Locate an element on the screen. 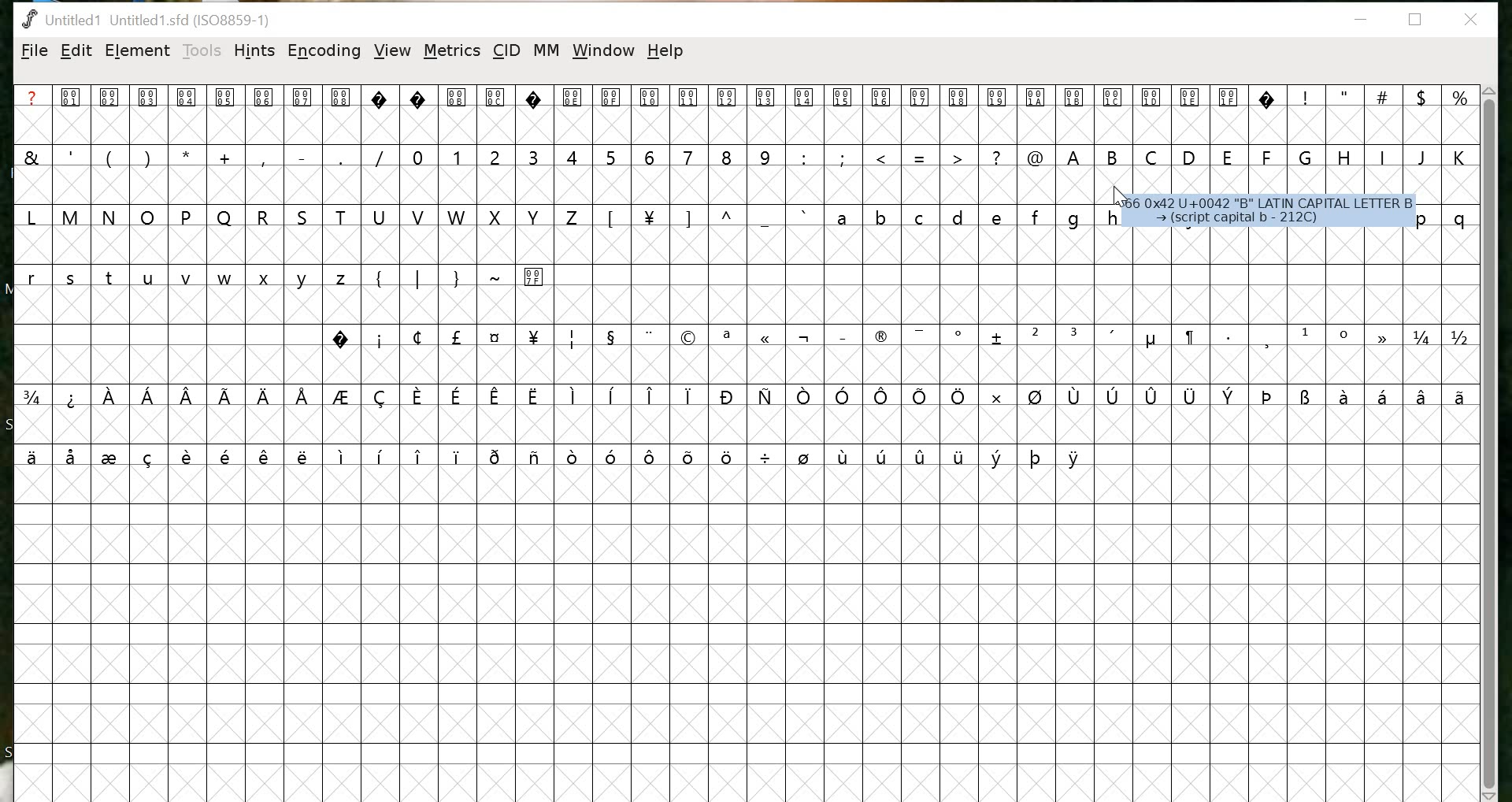  CID is located at coordinates (506, 51).